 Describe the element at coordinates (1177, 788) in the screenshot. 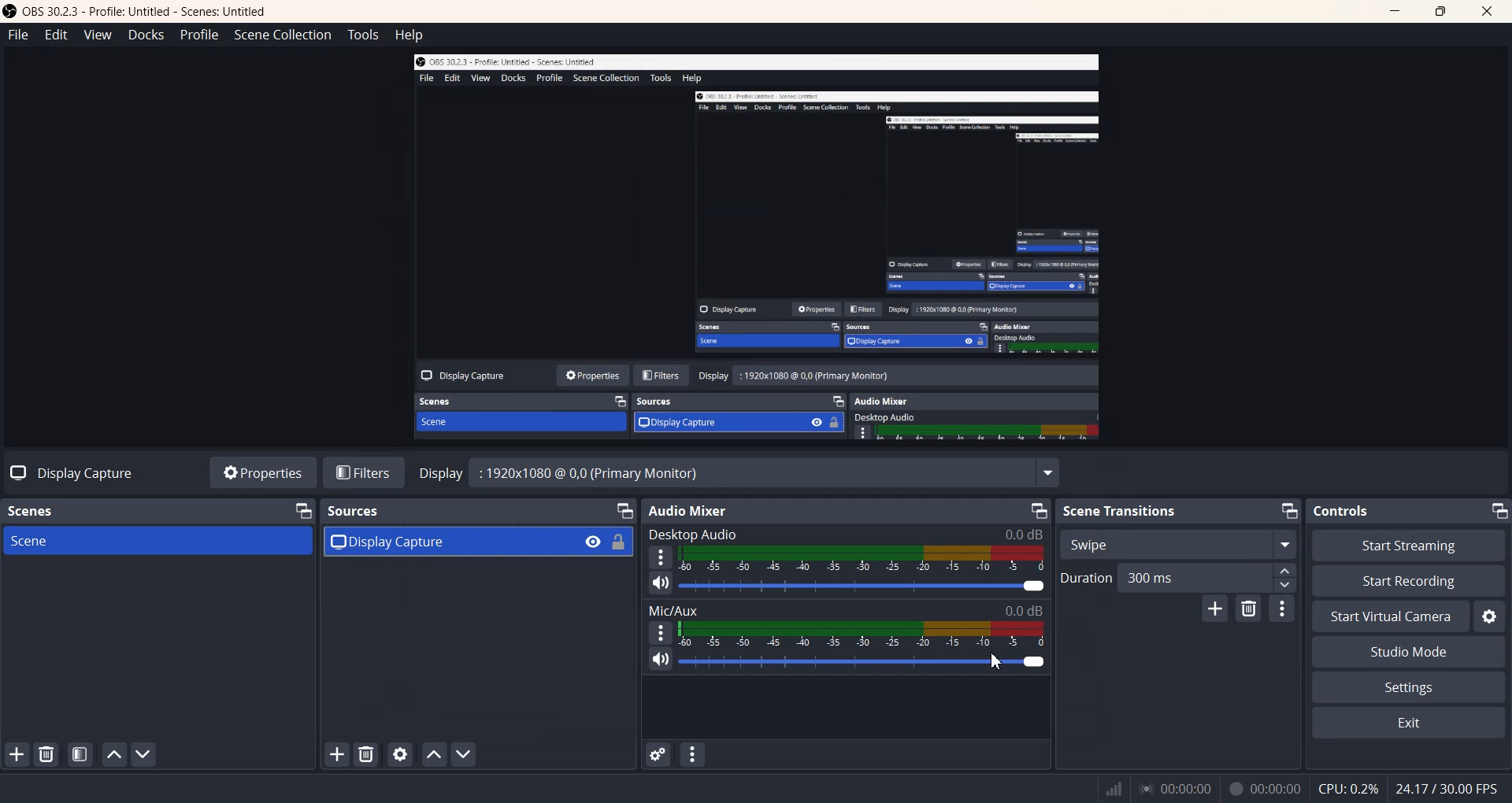

I see `00.00.00` at that location.